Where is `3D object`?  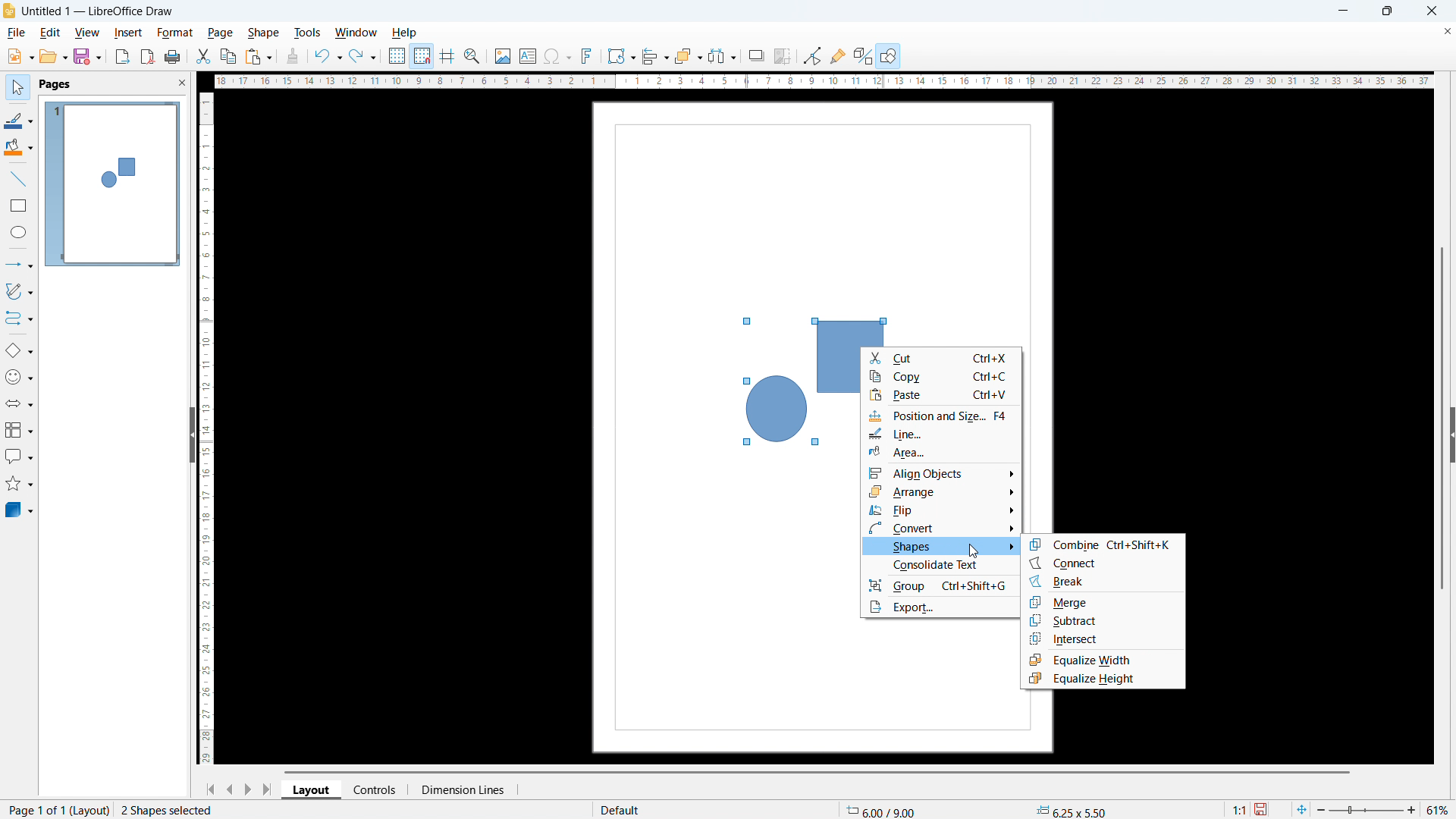
3D object is located at coordinates (20, 510).